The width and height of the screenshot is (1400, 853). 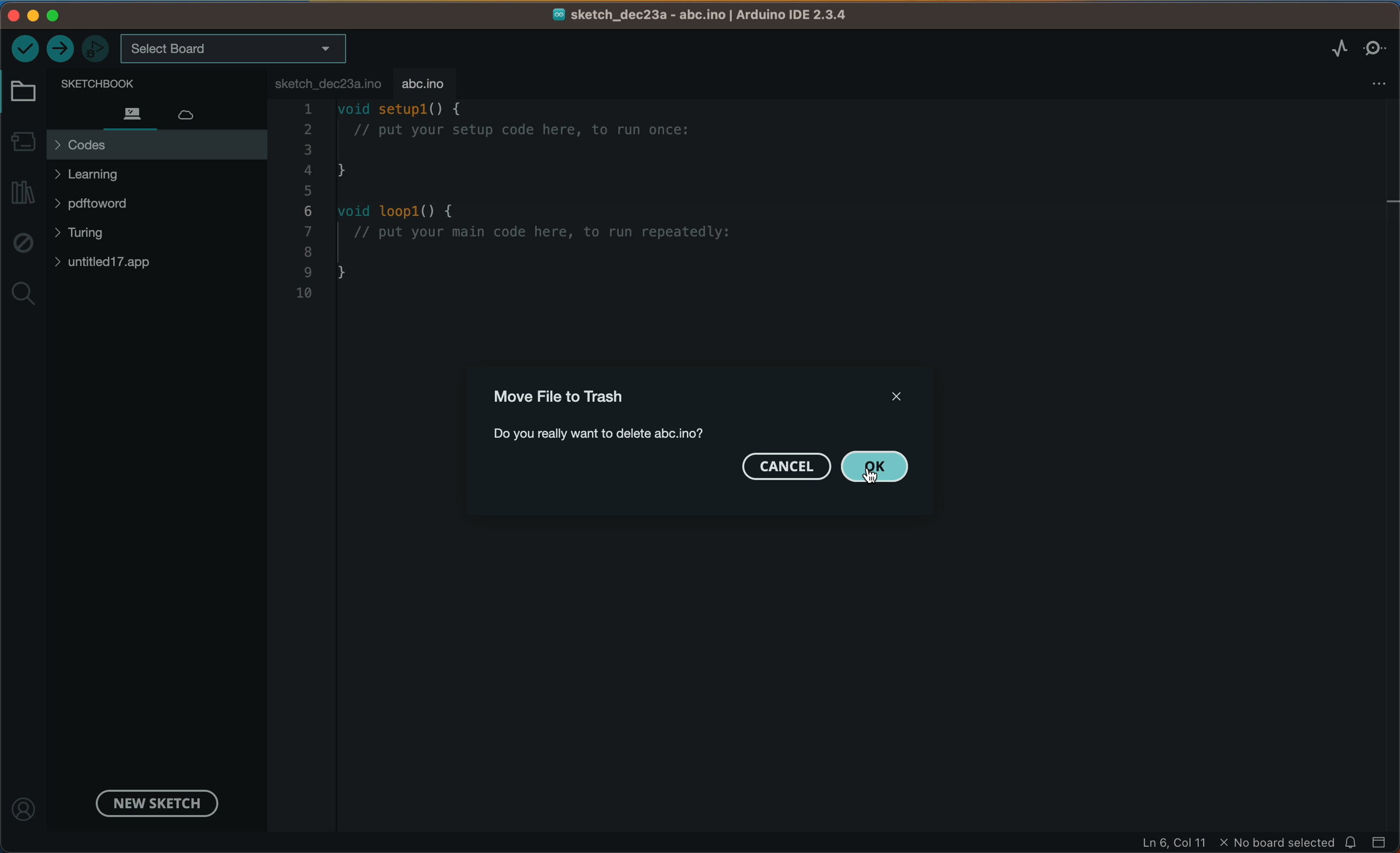 What do you see at coordinates (23, 141) in the screenshot?
I see `board manager` at bounding box center [23, 141].